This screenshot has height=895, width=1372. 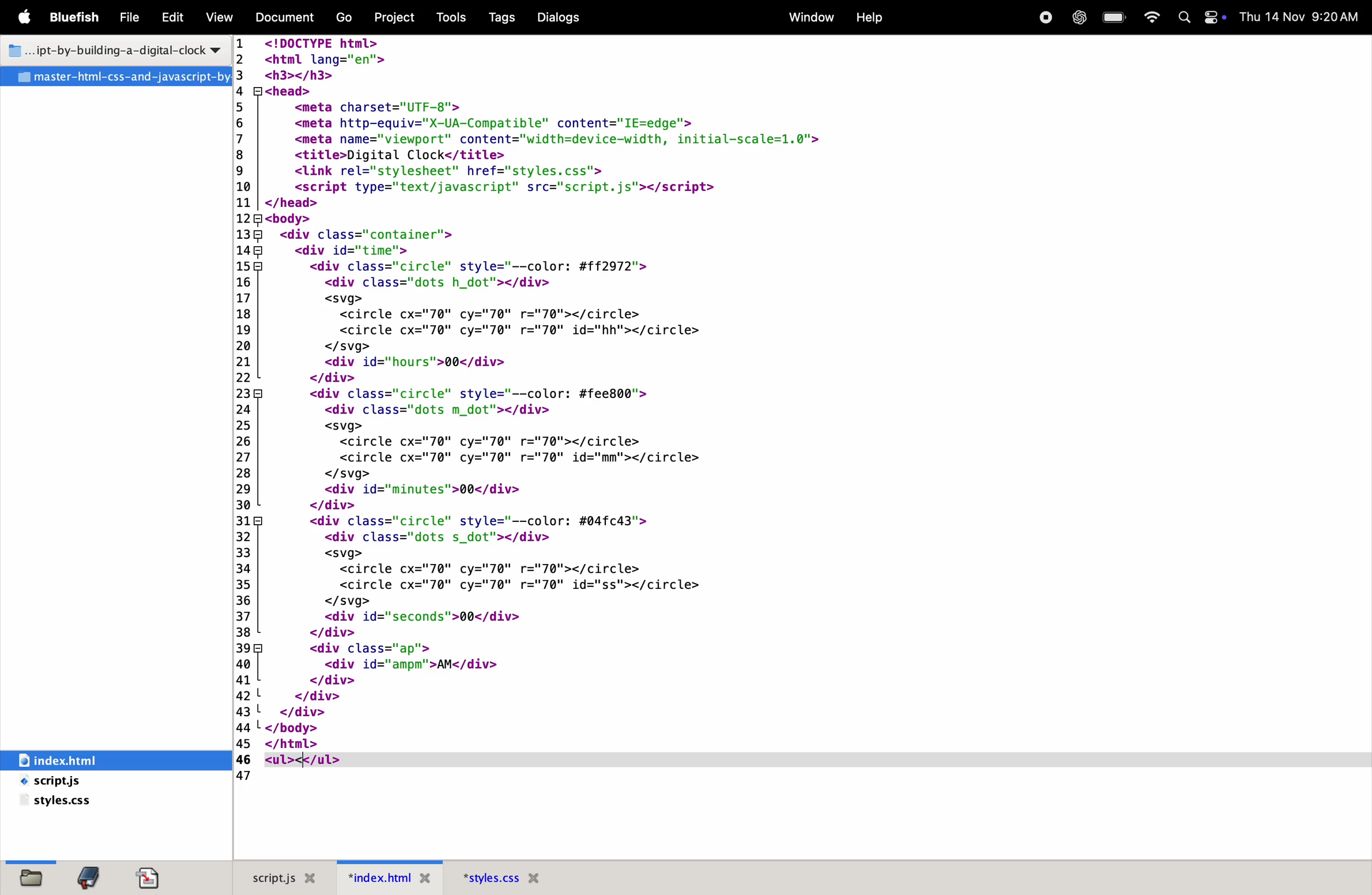 I want to click on document, so click(x=152, y=878).